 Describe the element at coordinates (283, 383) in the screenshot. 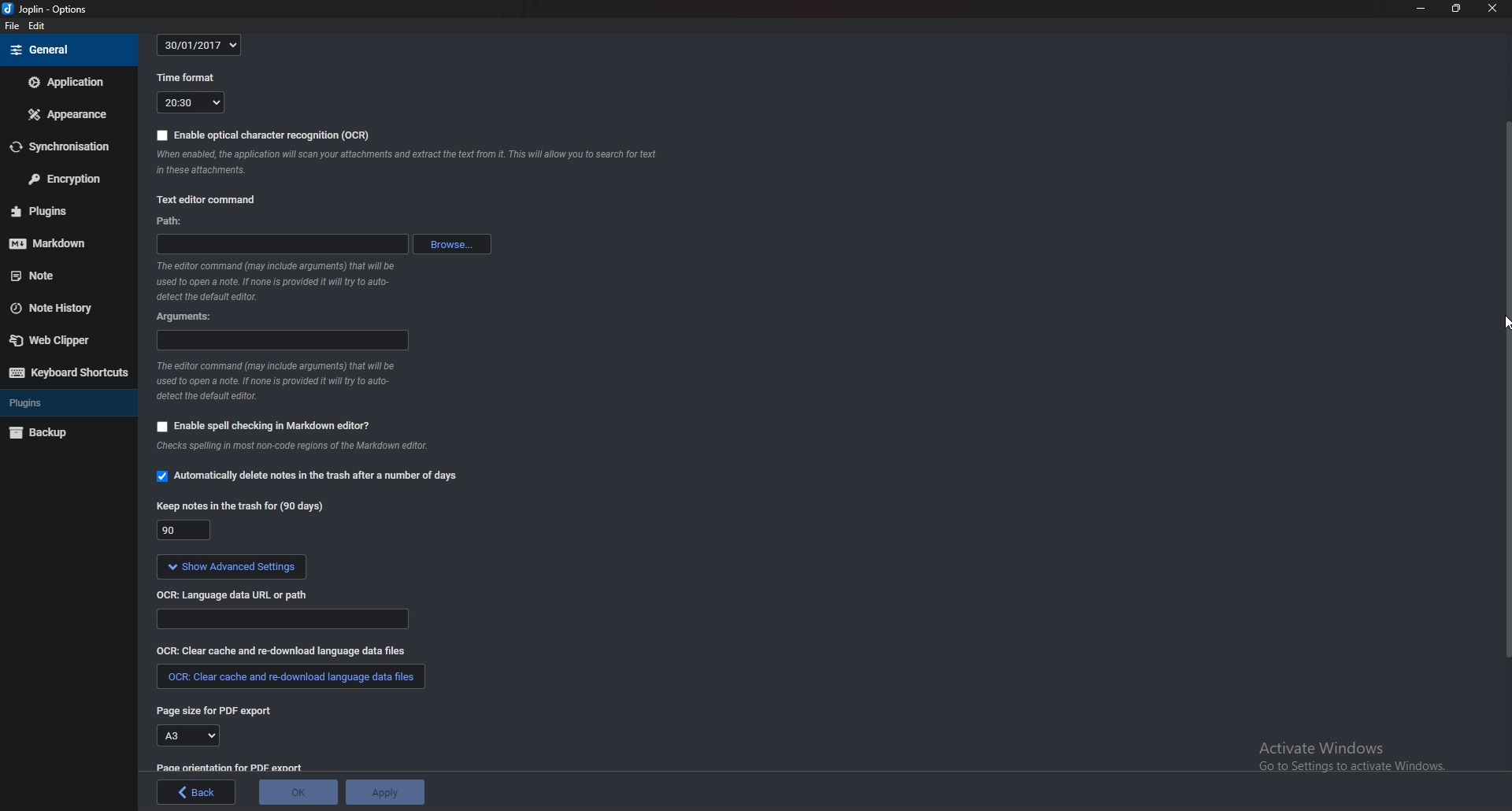

I see `Info` at that location.